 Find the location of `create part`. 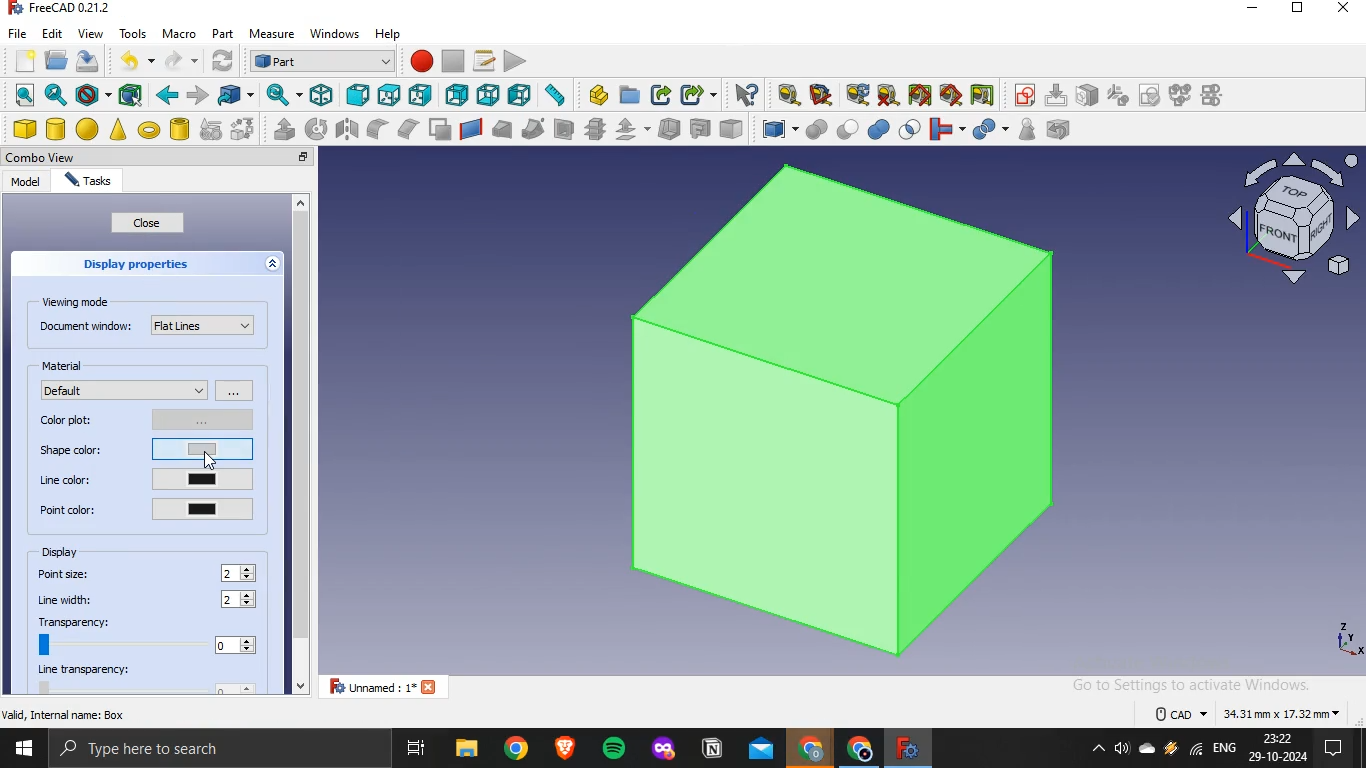

create part is located at coordinates (598, 95).